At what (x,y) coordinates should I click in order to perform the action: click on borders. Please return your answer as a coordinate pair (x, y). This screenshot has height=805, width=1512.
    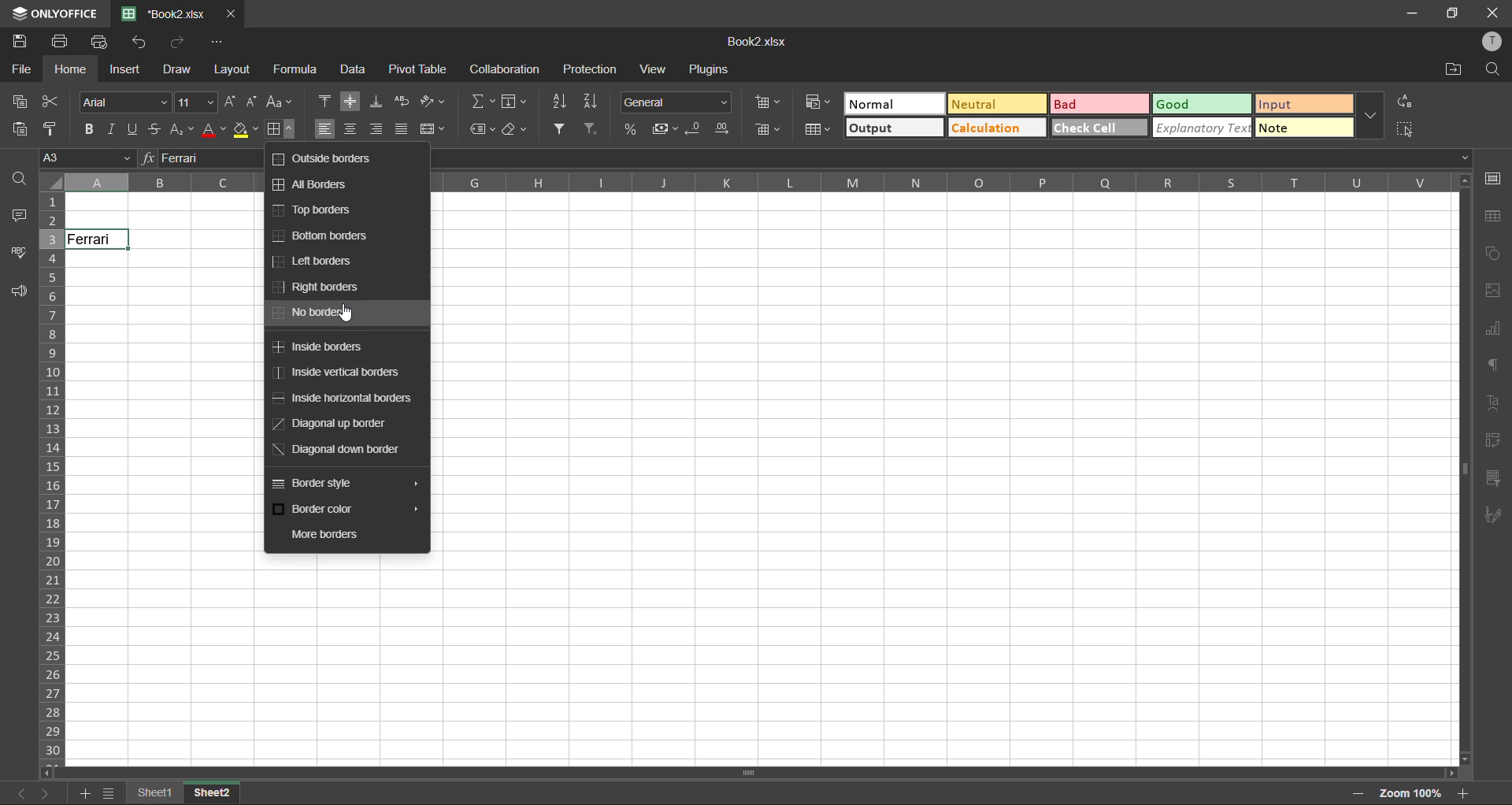
    Looking at the image, I should click on (280, 131).